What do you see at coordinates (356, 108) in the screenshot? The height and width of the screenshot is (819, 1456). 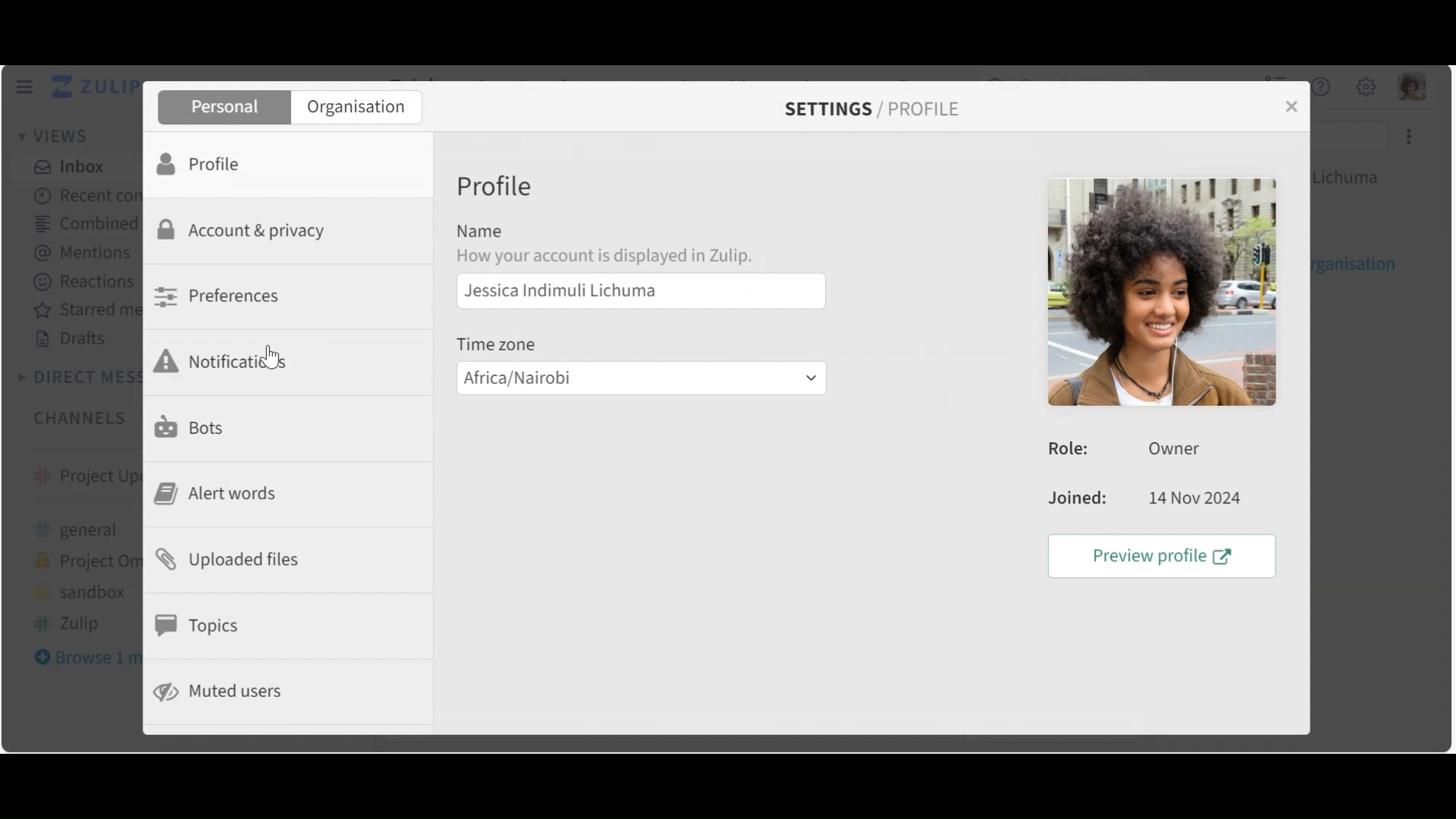 I see `Organisation` at bounding box center [356, 108].